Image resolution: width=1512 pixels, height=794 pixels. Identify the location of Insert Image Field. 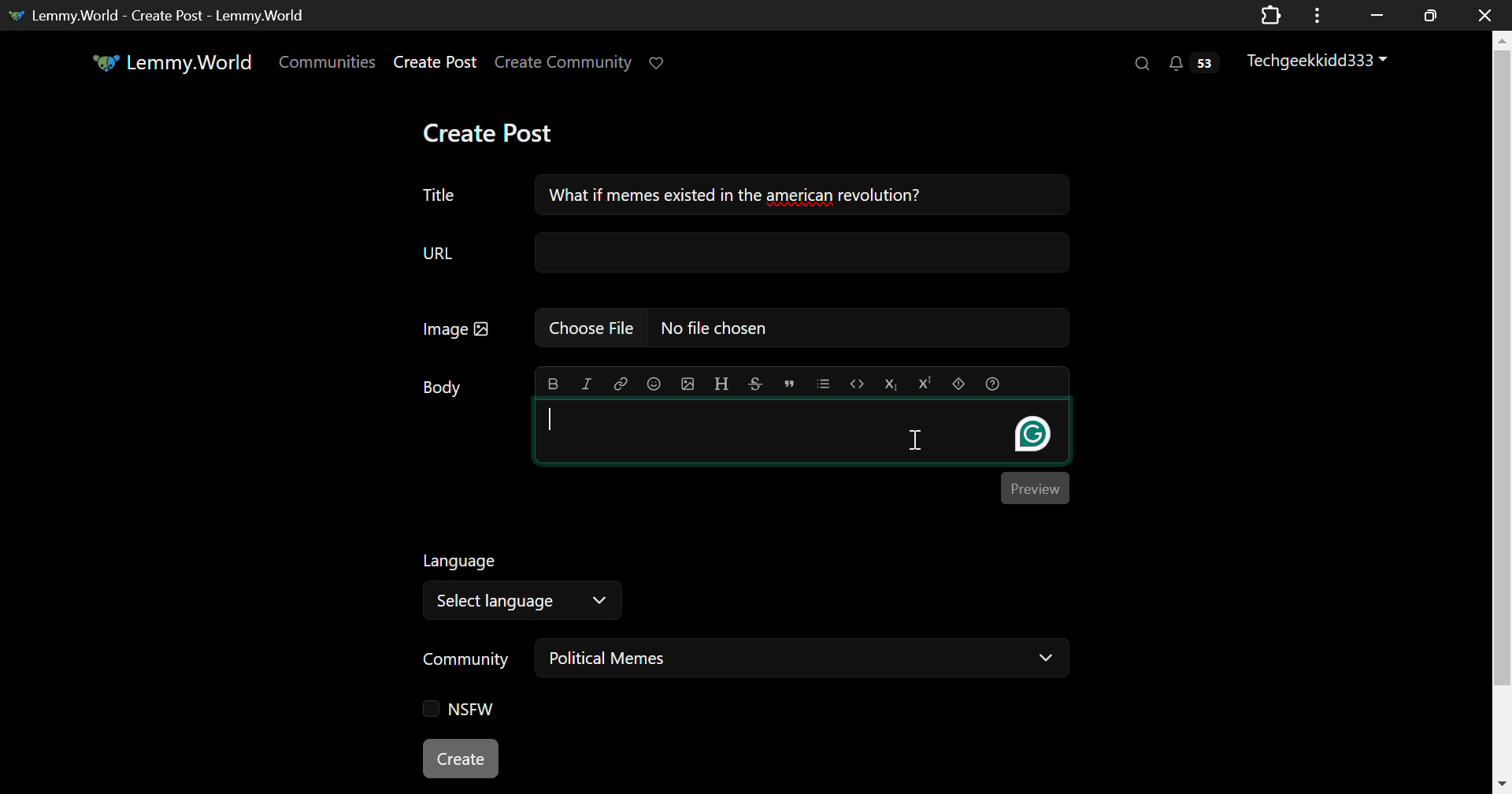
(737, 328).